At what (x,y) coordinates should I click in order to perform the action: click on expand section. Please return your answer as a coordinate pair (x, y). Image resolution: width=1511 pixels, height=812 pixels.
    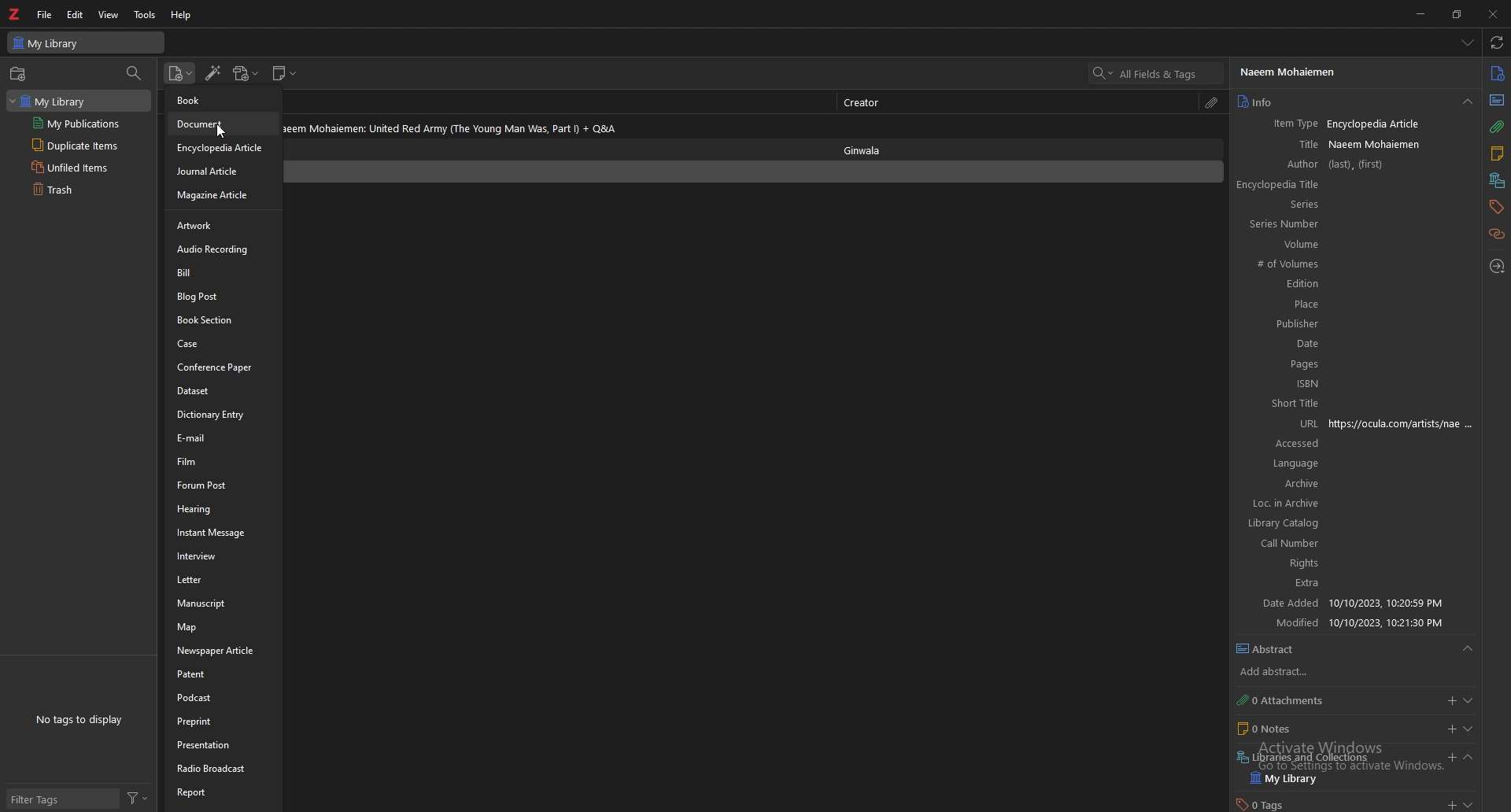
    Looking at the image, I should click on (1472, 699).